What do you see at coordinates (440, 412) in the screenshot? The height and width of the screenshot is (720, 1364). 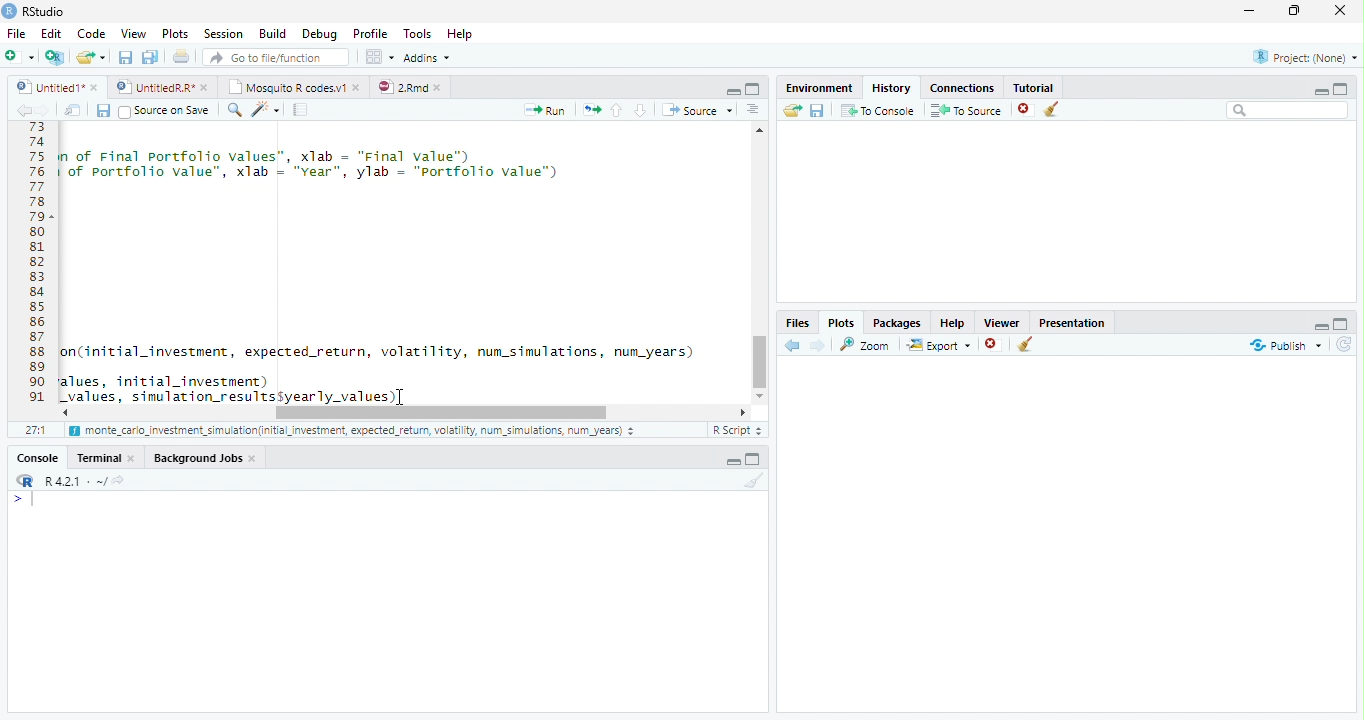 I see `Scroll bar` at bounding box center [440, 412].